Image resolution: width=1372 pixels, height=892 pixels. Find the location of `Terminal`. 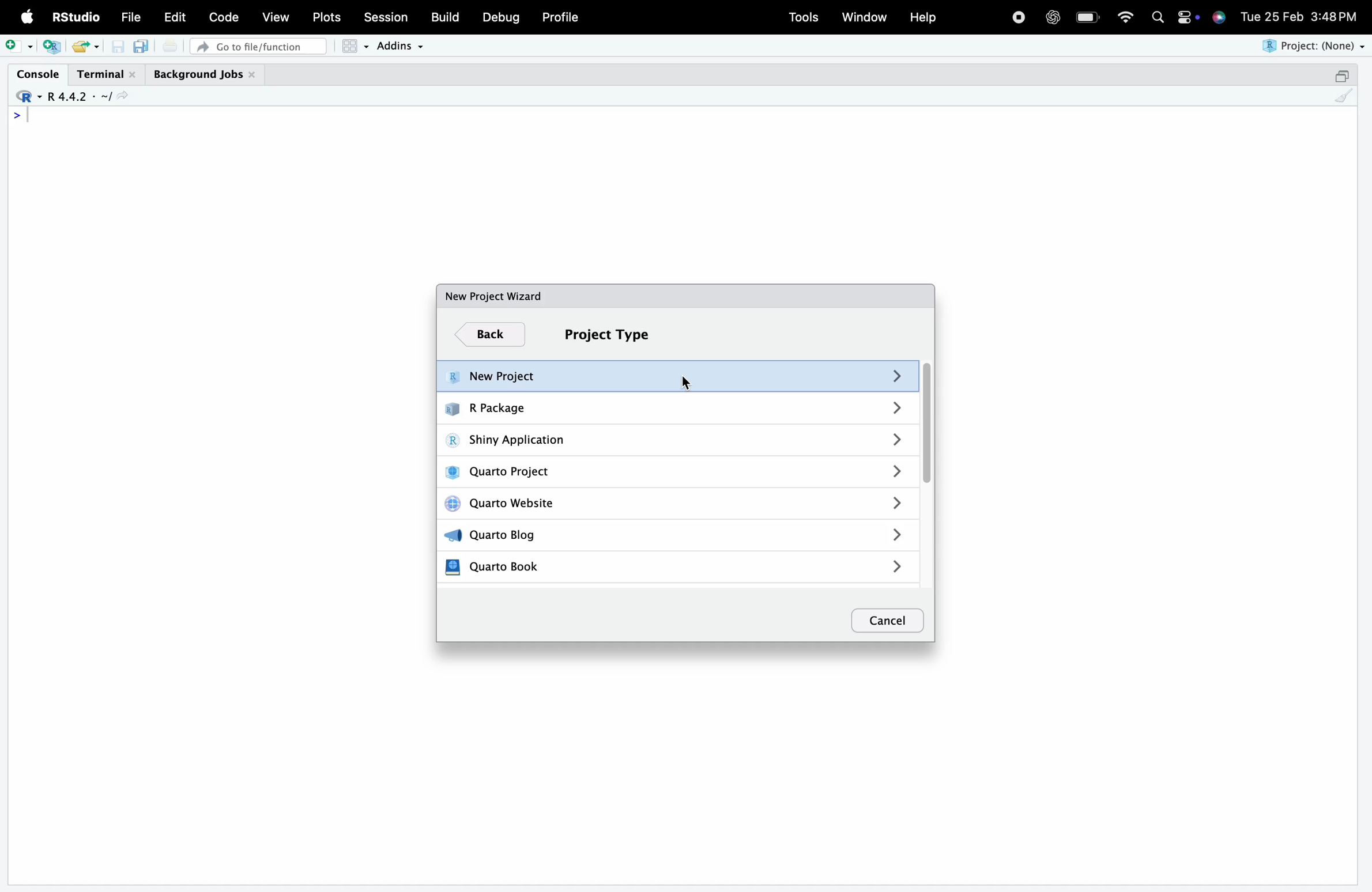

Terminal is located at coordinates (107, 75).